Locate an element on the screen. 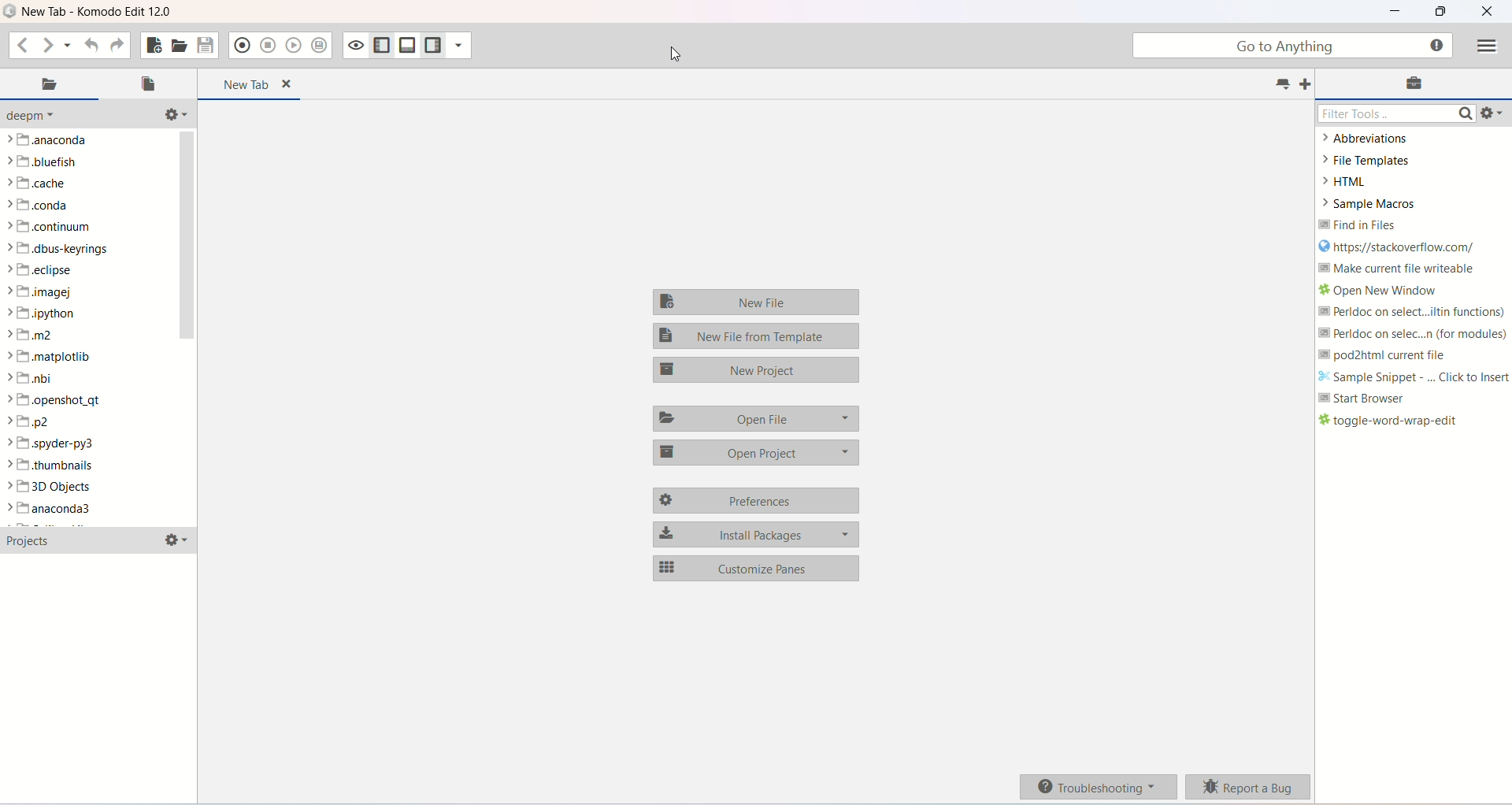 The width and height of the screenshot is (1512, 805). save file is located at coordinates (205, 43).